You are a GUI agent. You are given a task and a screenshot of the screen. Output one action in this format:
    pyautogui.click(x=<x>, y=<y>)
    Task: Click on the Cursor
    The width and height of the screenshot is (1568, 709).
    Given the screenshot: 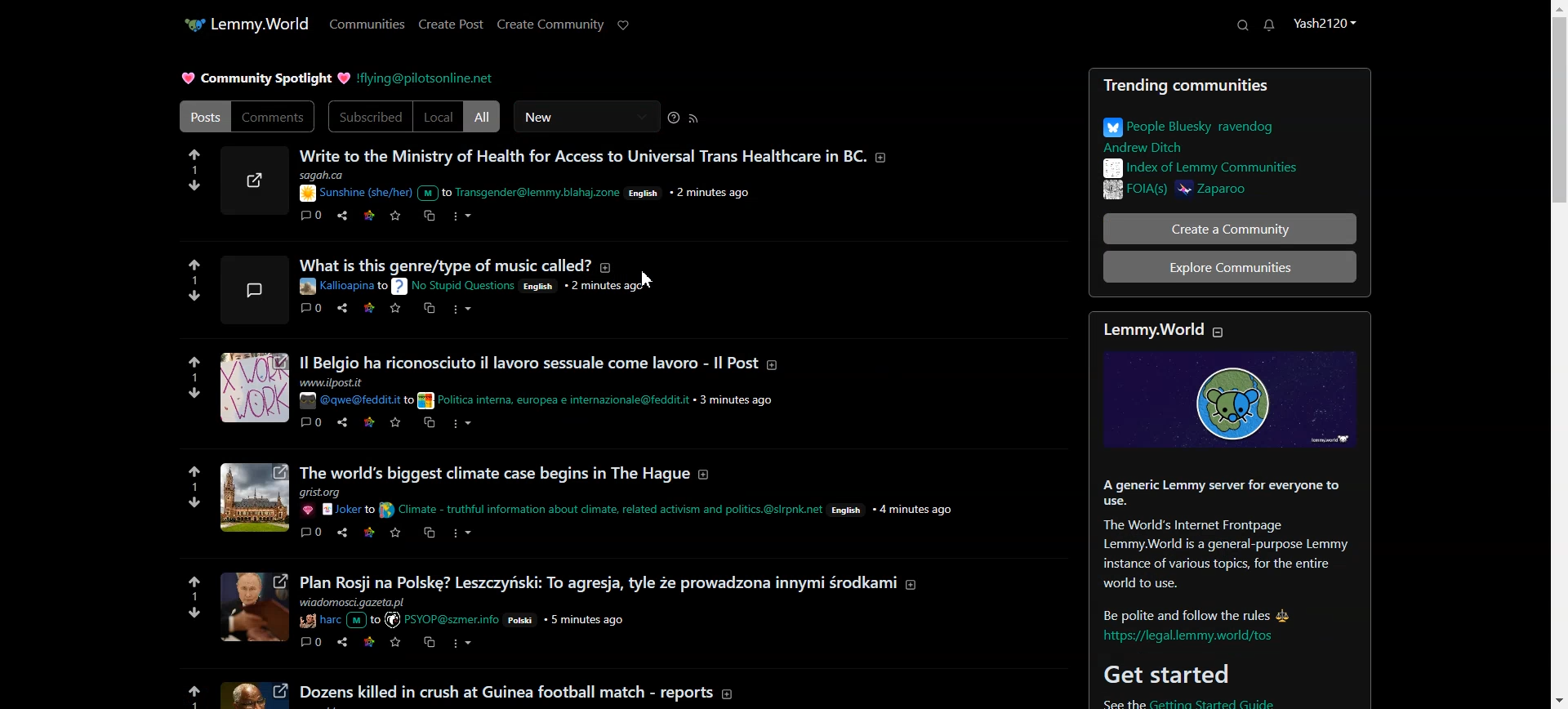 What is the action you would take?
    pyautogui.click(x=648, y=279)
    